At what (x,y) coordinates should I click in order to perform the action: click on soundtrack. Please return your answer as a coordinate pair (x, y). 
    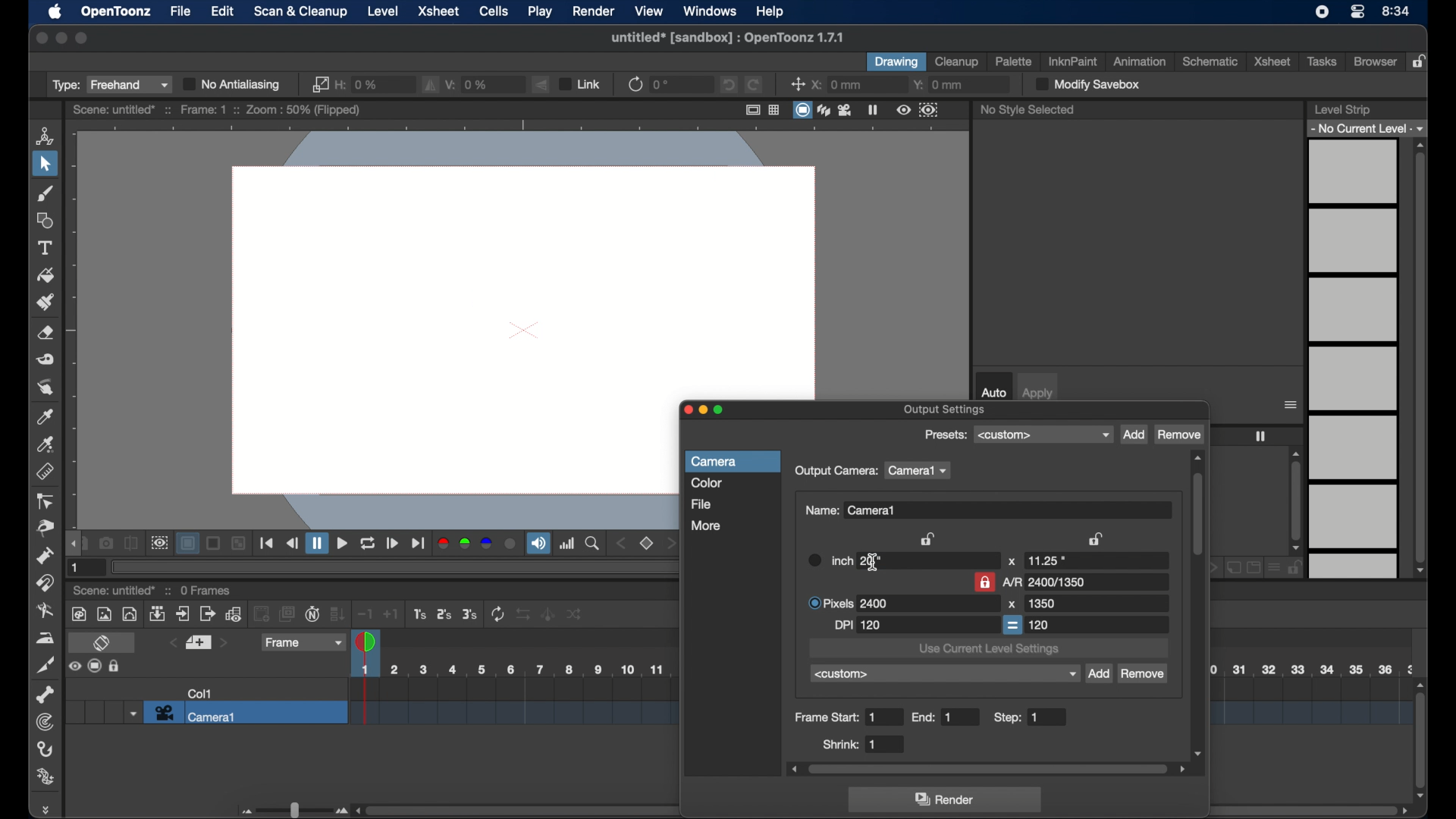
    Looking at the image, I should click on (538, 544).